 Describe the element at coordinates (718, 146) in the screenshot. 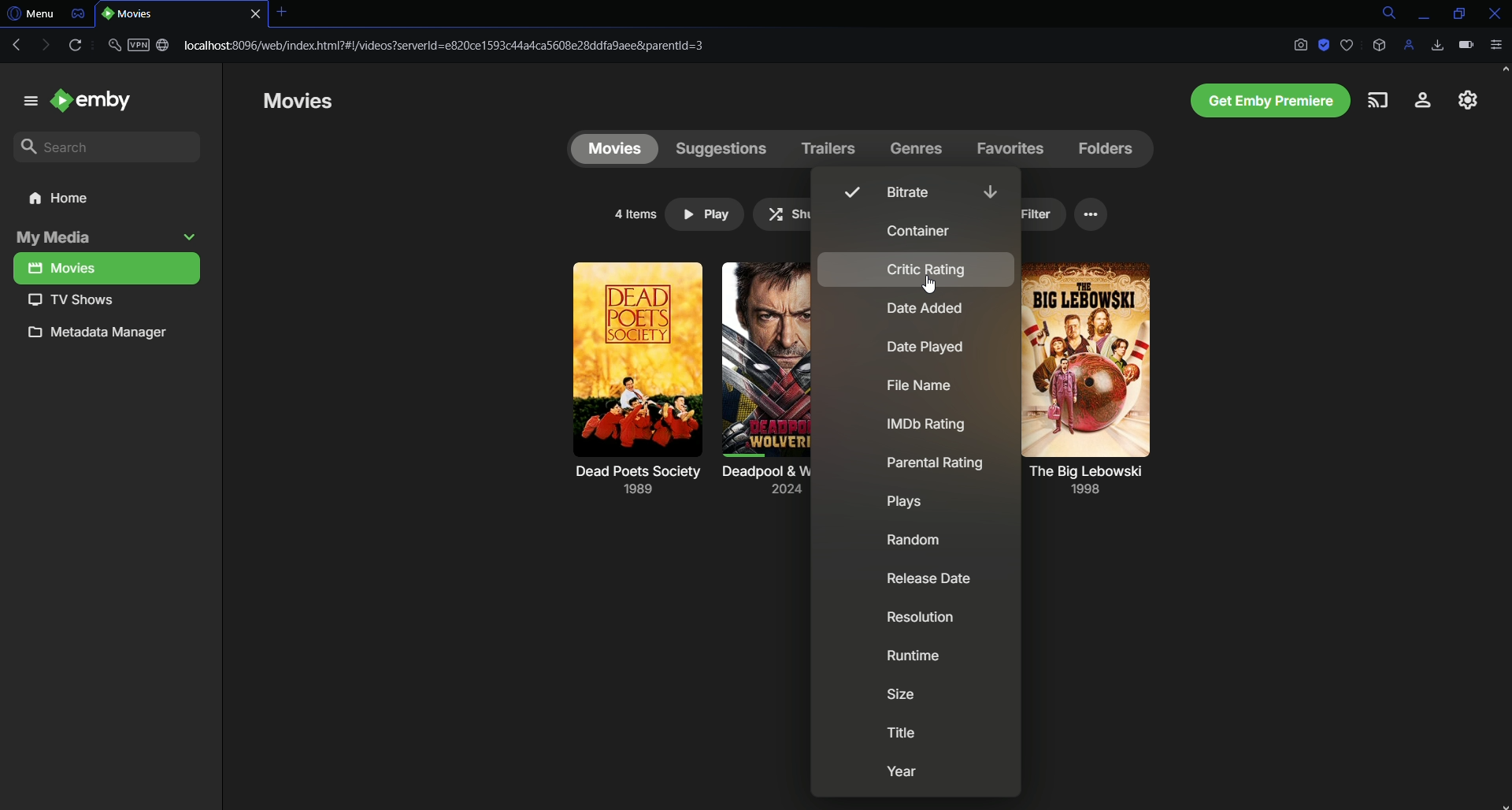

I see `Suggestions` at that location.